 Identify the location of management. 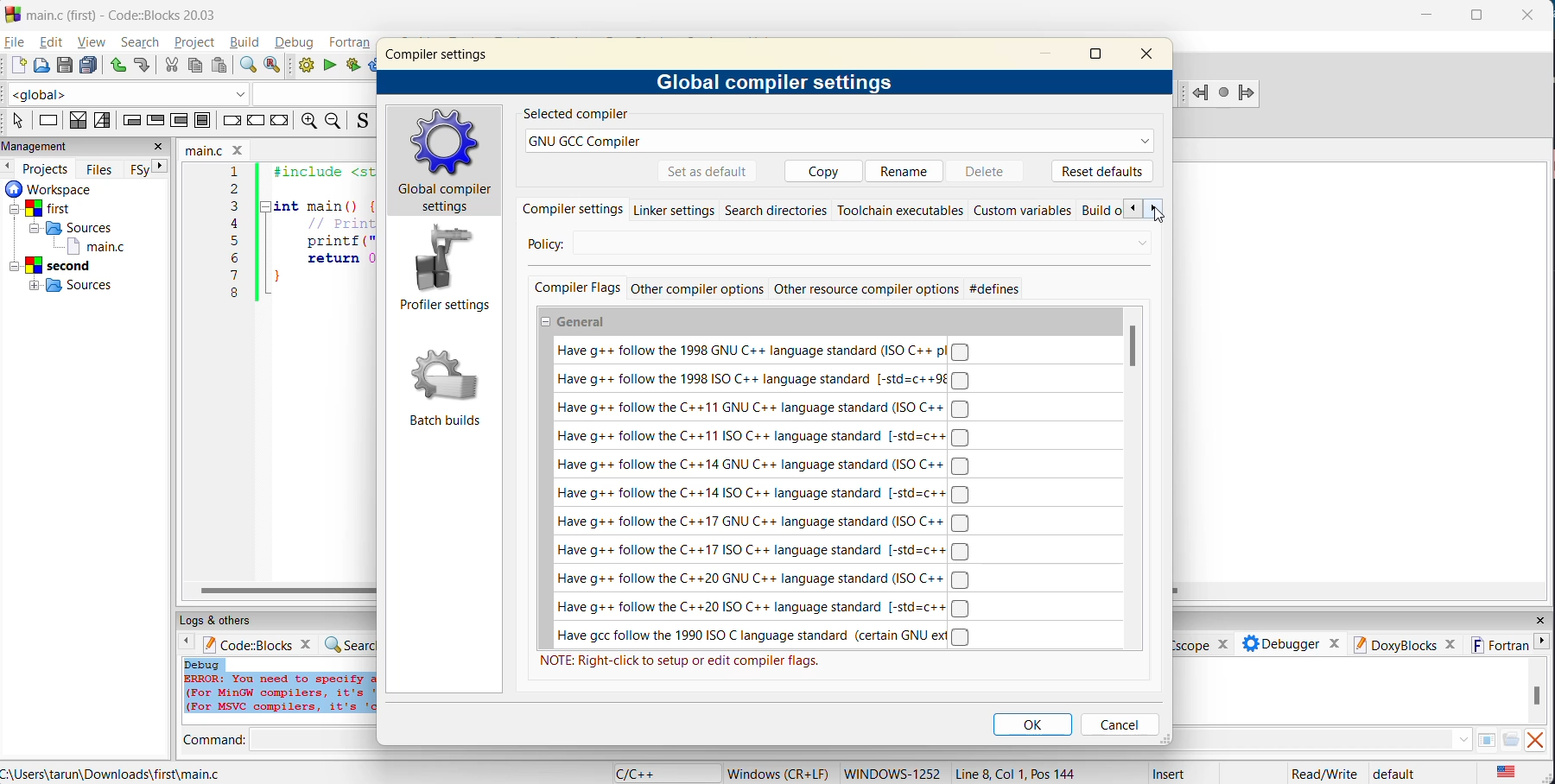
(38, 145).